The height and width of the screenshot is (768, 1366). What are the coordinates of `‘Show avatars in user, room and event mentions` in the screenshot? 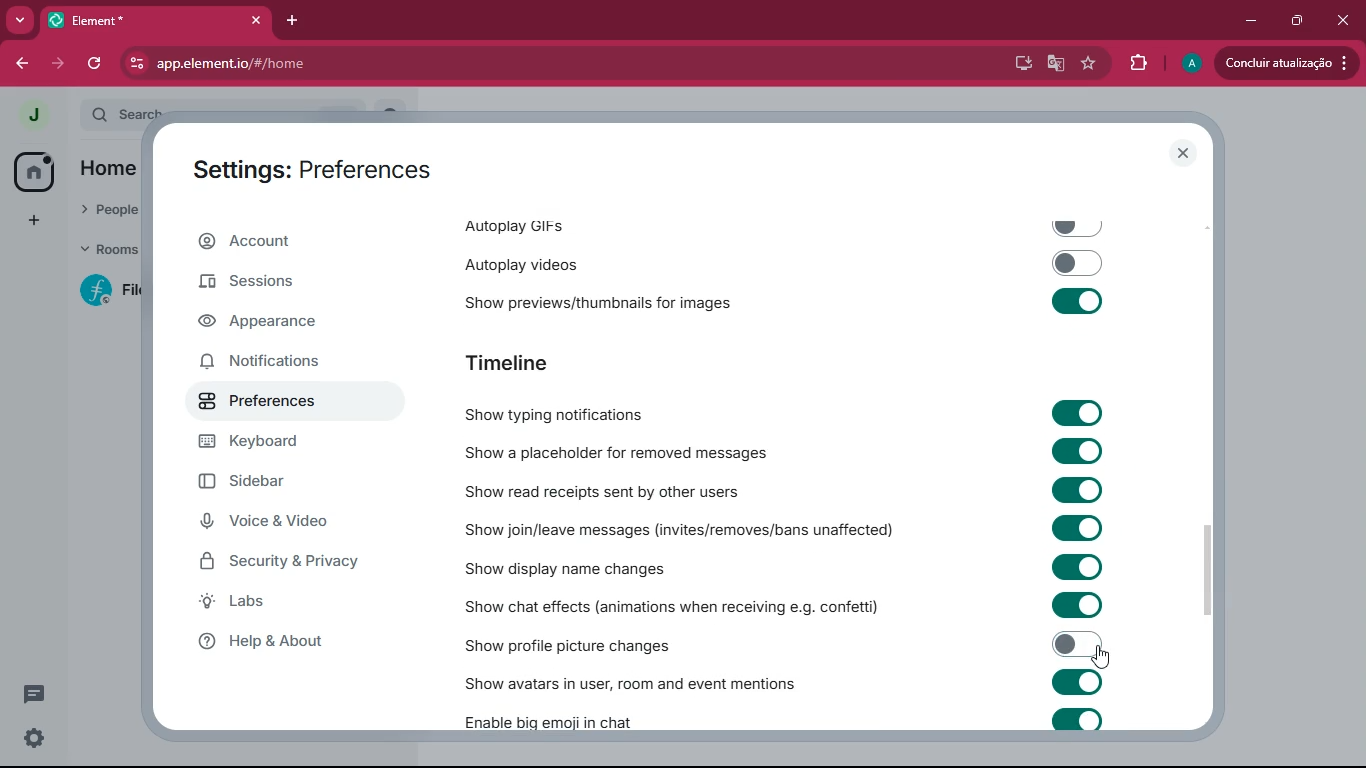 It's located at (784, 682).